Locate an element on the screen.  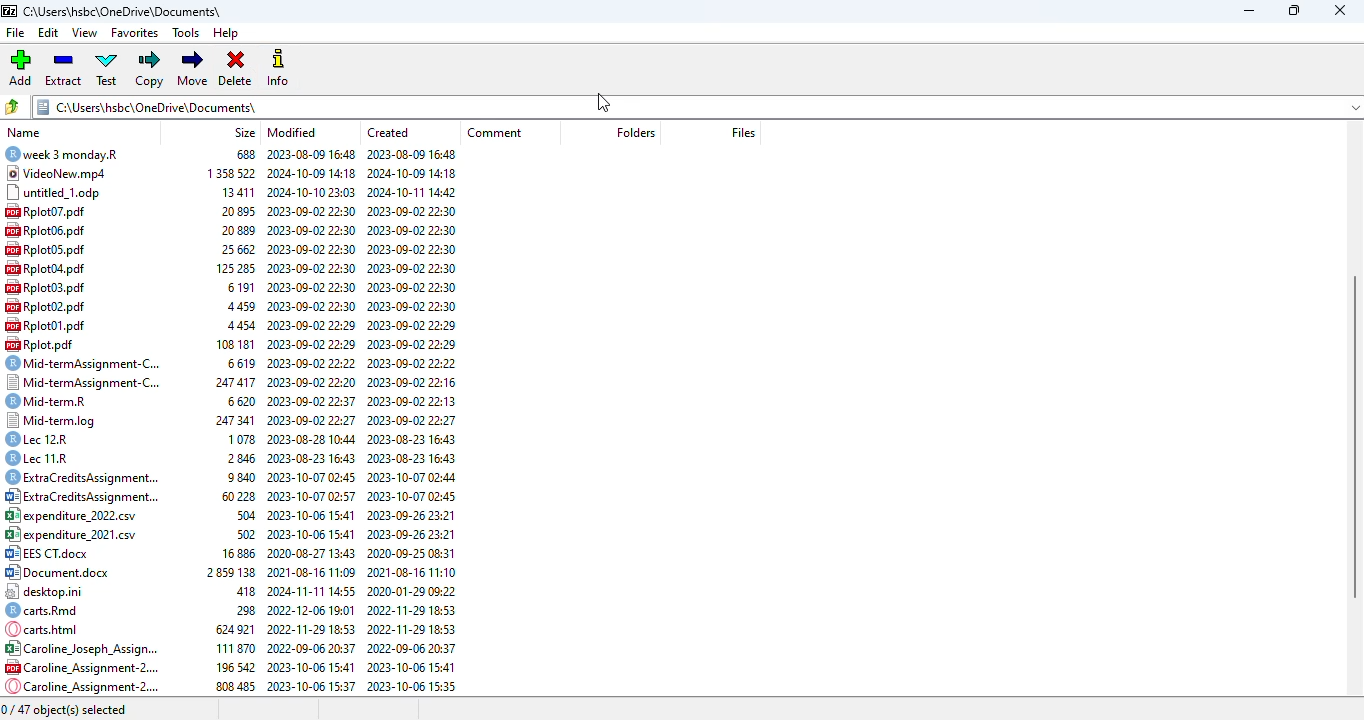
EES CT.docx  is located at coordinates (53, 553).